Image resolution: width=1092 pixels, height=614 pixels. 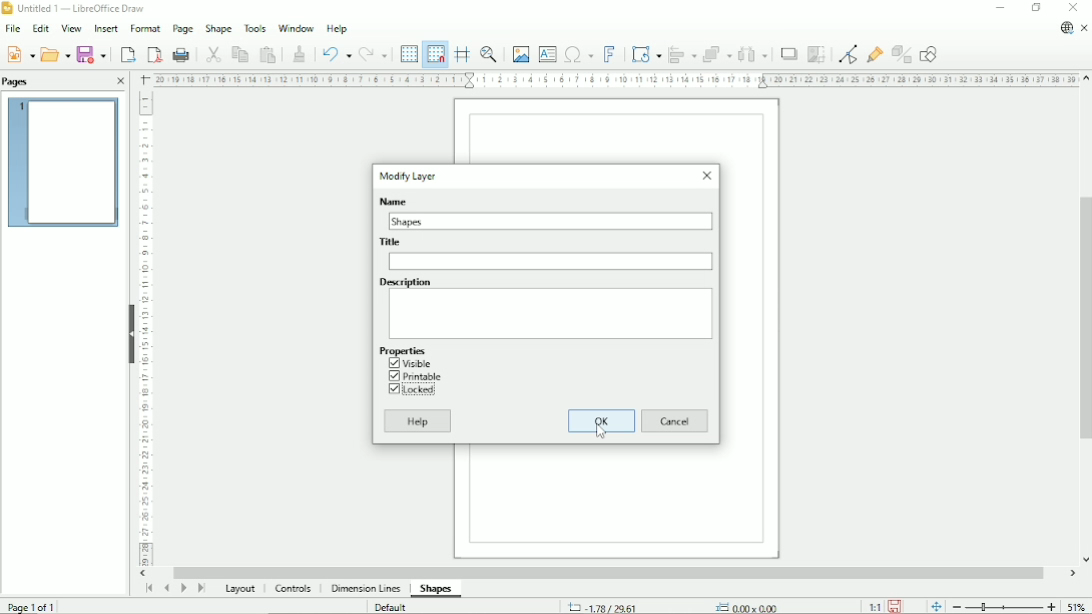 What do you see at coordinates (411, 221) in the screenshot?
I see `Shapes` at bounding box center [411, 221].